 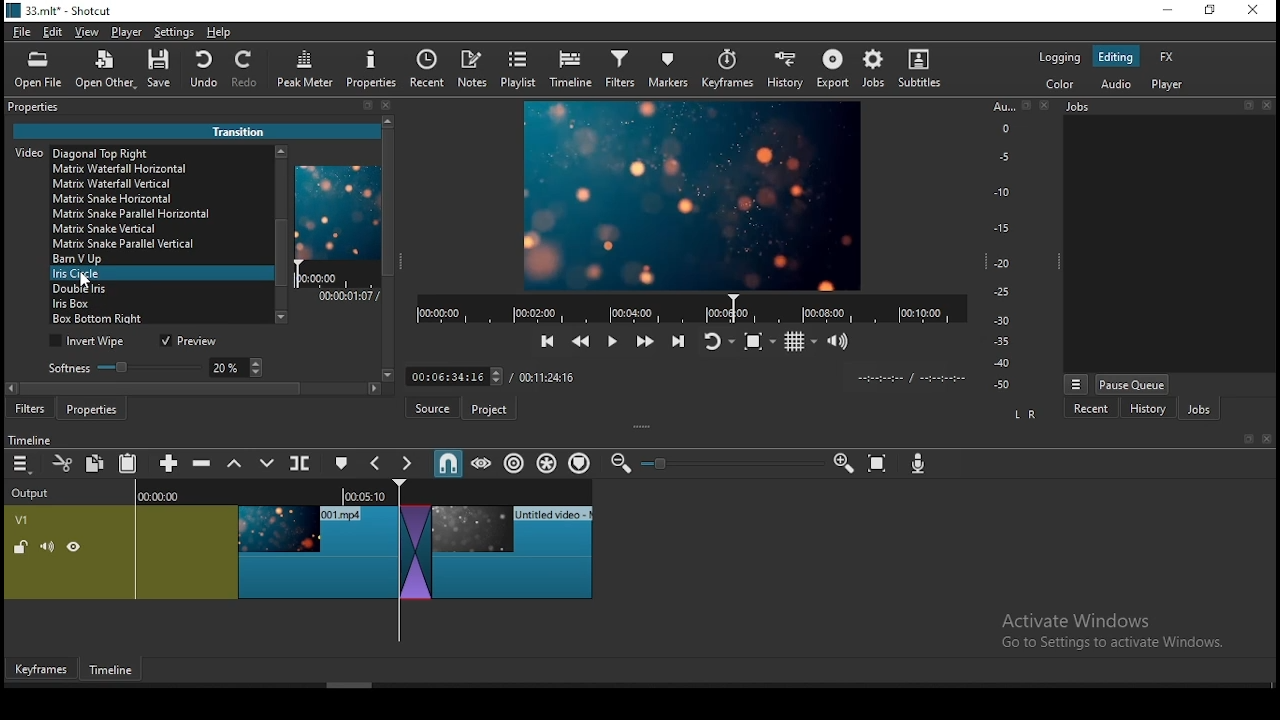 I want to click on , so click(x=1266, y=440).